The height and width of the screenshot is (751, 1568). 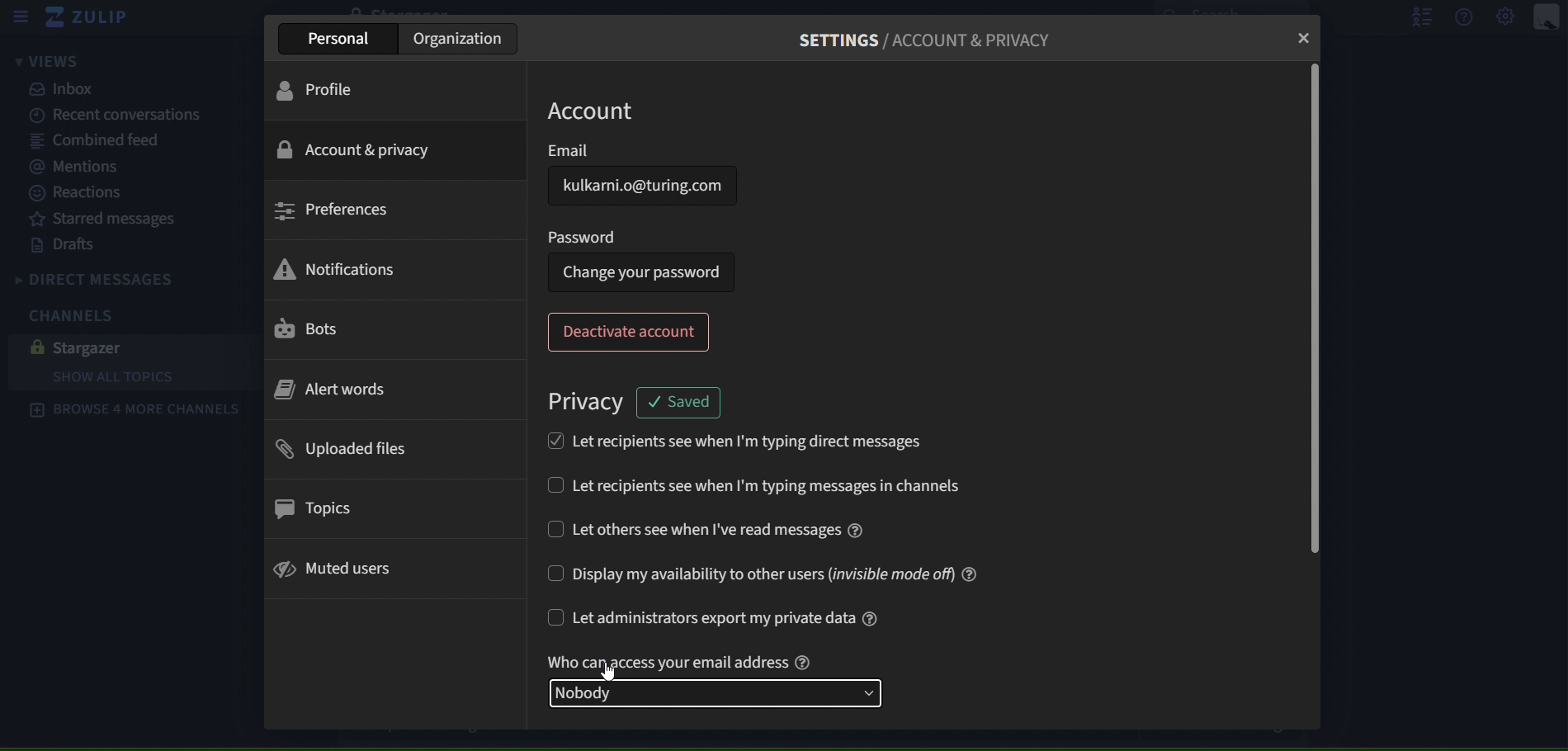 I want to click on bots, so click(x=309, y=330).